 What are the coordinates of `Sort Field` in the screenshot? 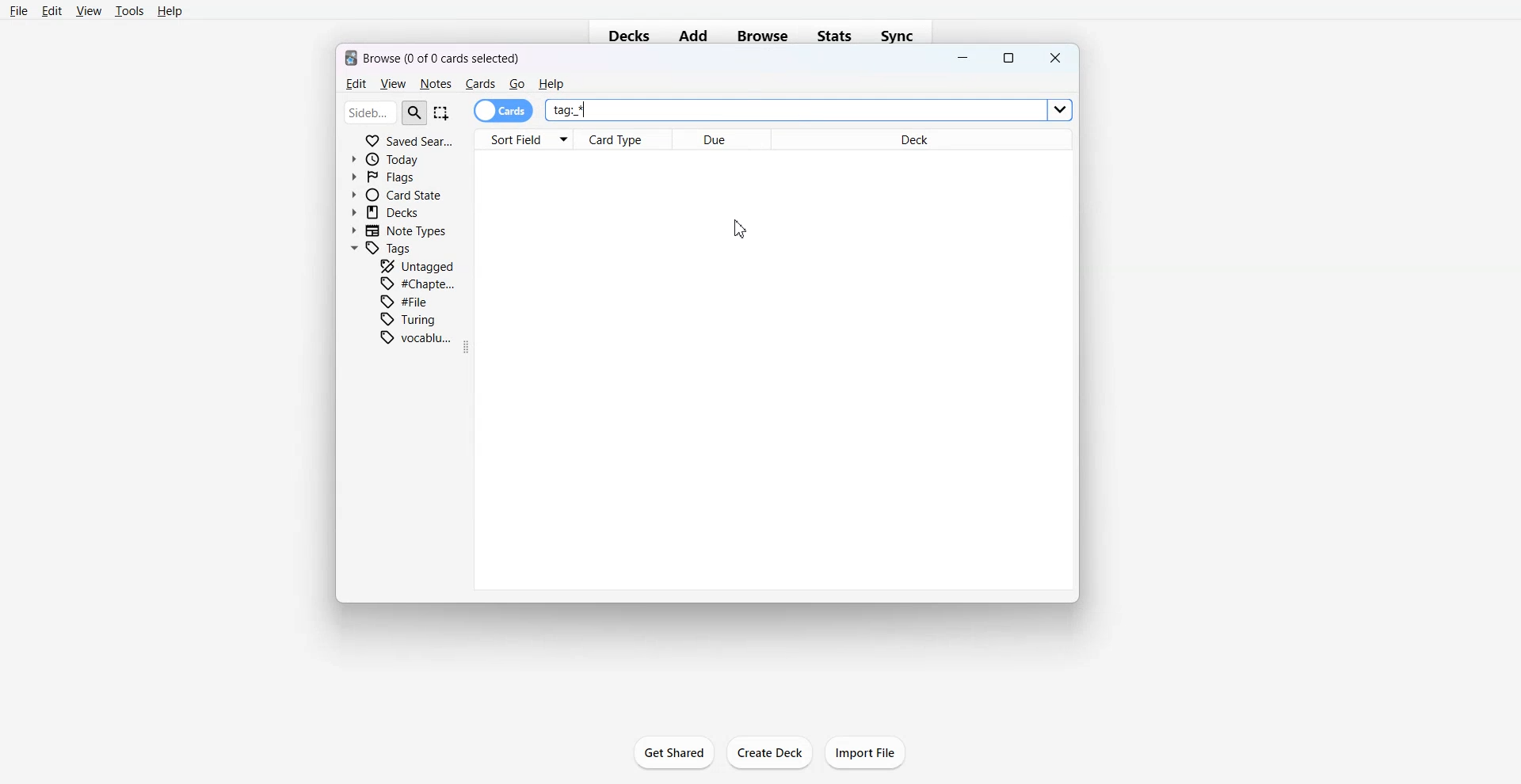 It's located at (523, 139).